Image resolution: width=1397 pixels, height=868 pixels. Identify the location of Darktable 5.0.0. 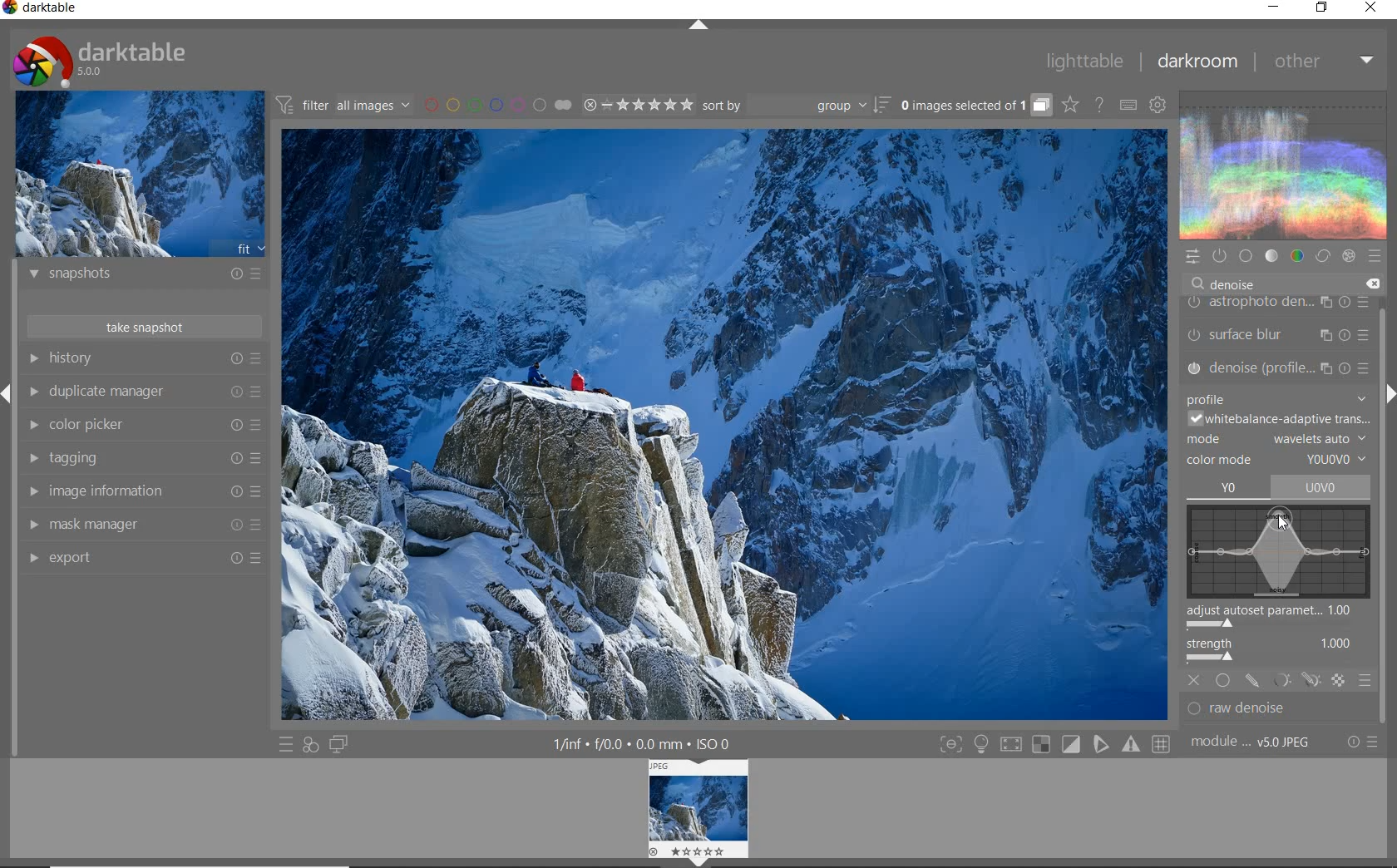
(100, 62).